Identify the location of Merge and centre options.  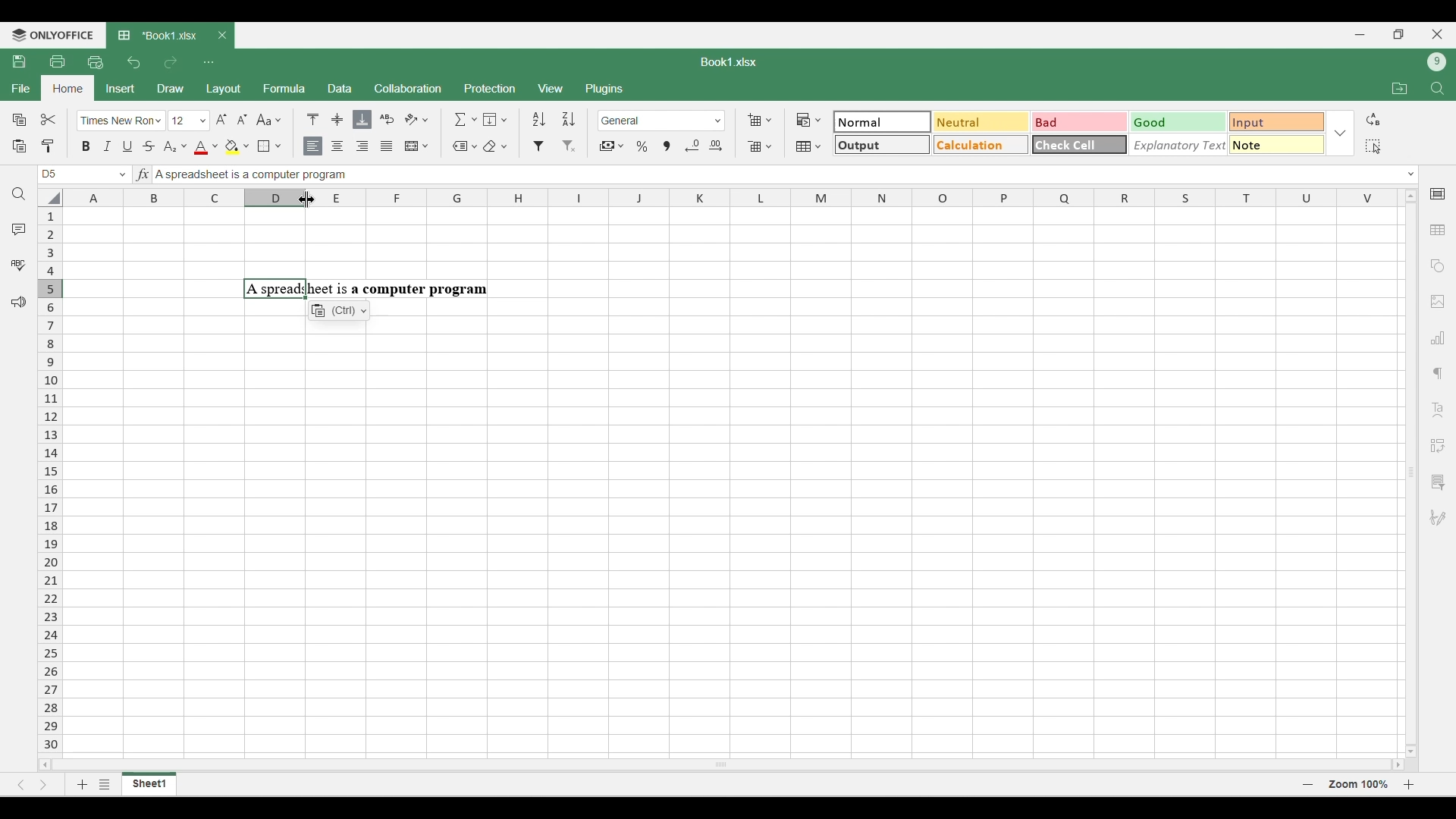
(417, 146).